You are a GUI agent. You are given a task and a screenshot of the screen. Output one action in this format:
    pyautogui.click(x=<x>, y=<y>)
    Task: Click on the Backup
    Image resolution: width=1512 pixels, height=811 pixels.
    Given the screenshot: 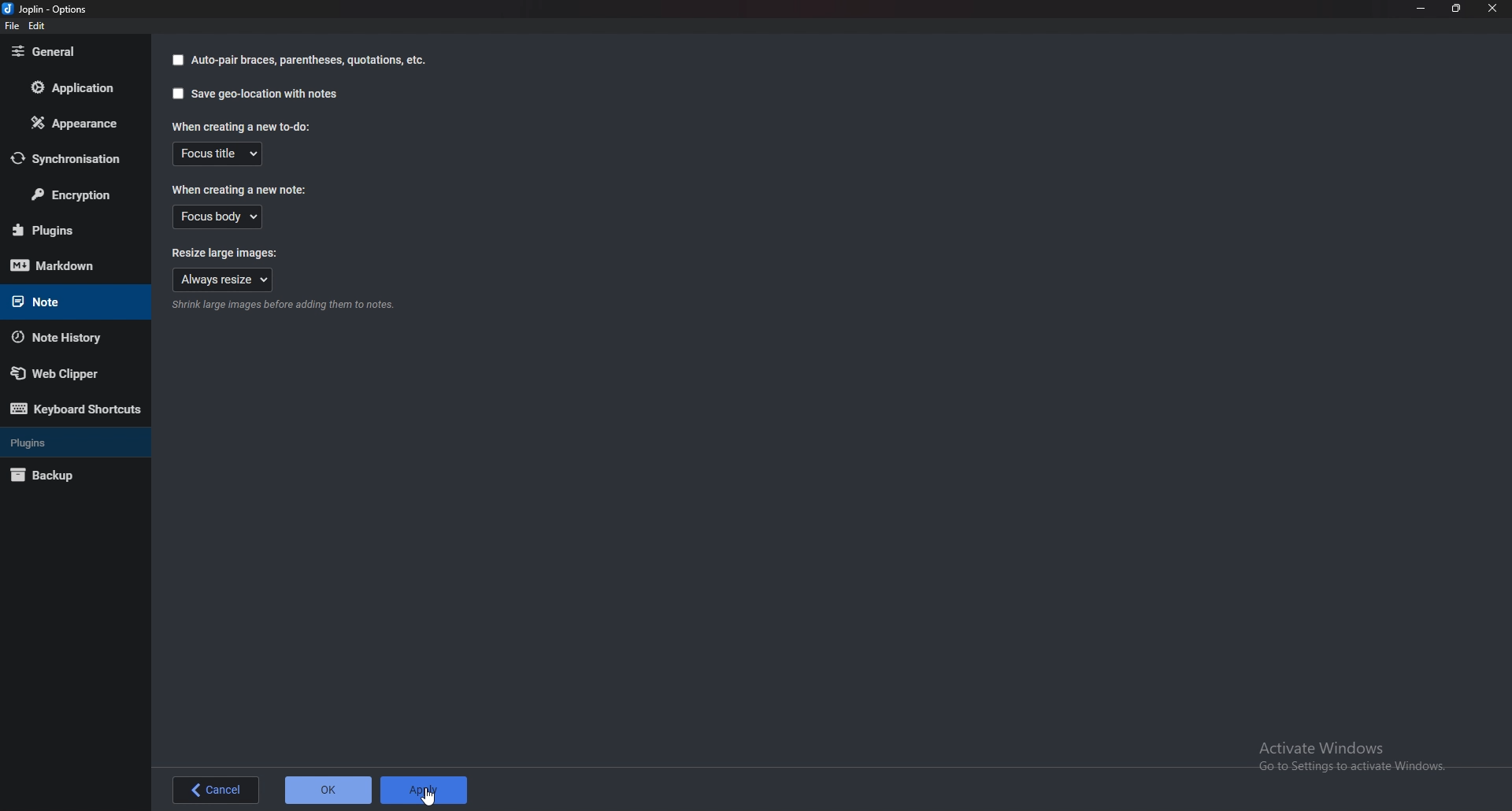 What is the action you would take?
    pyautogui.click(x=65, y=476)
    